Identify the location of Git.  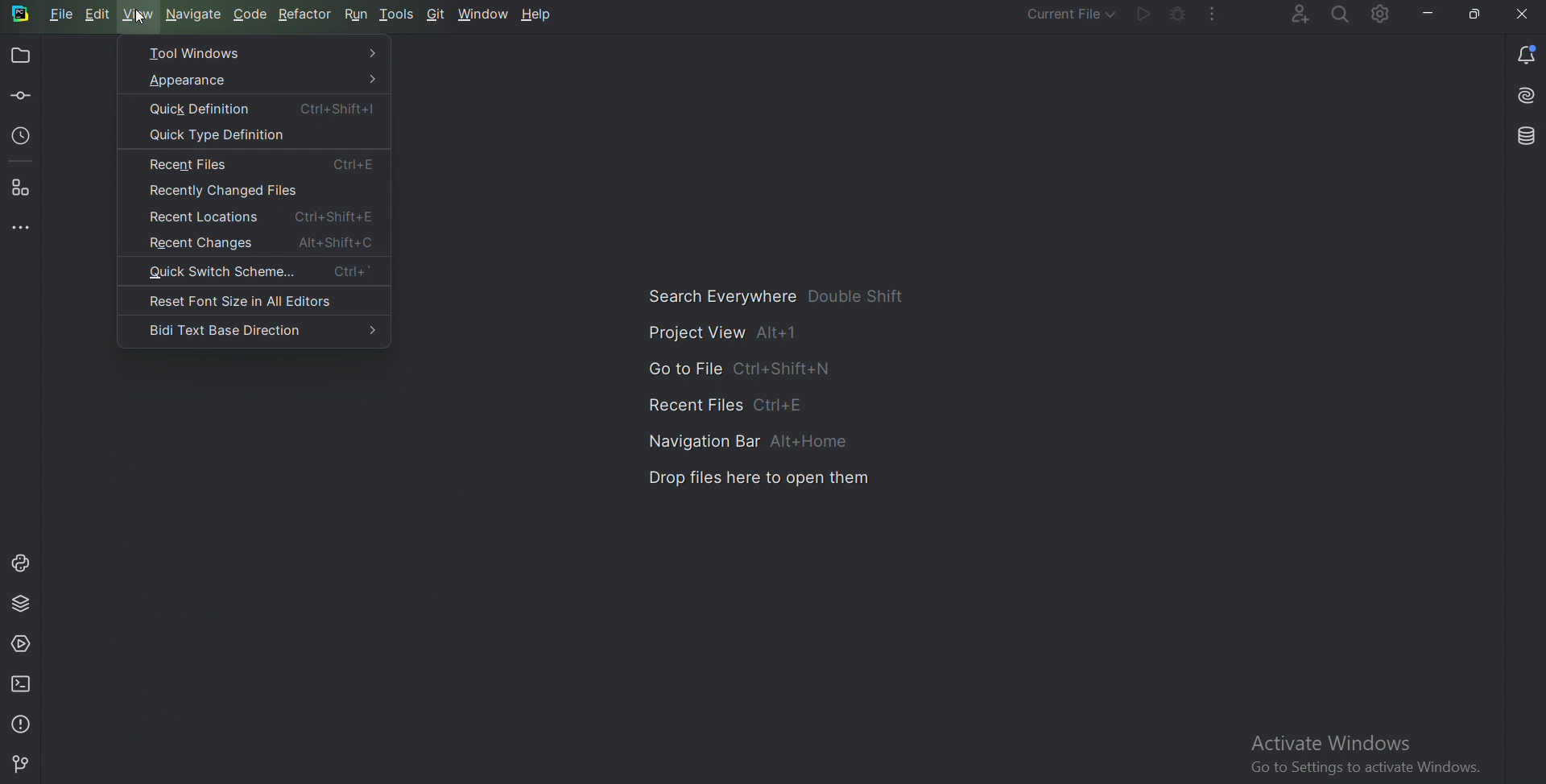
(23, 763).